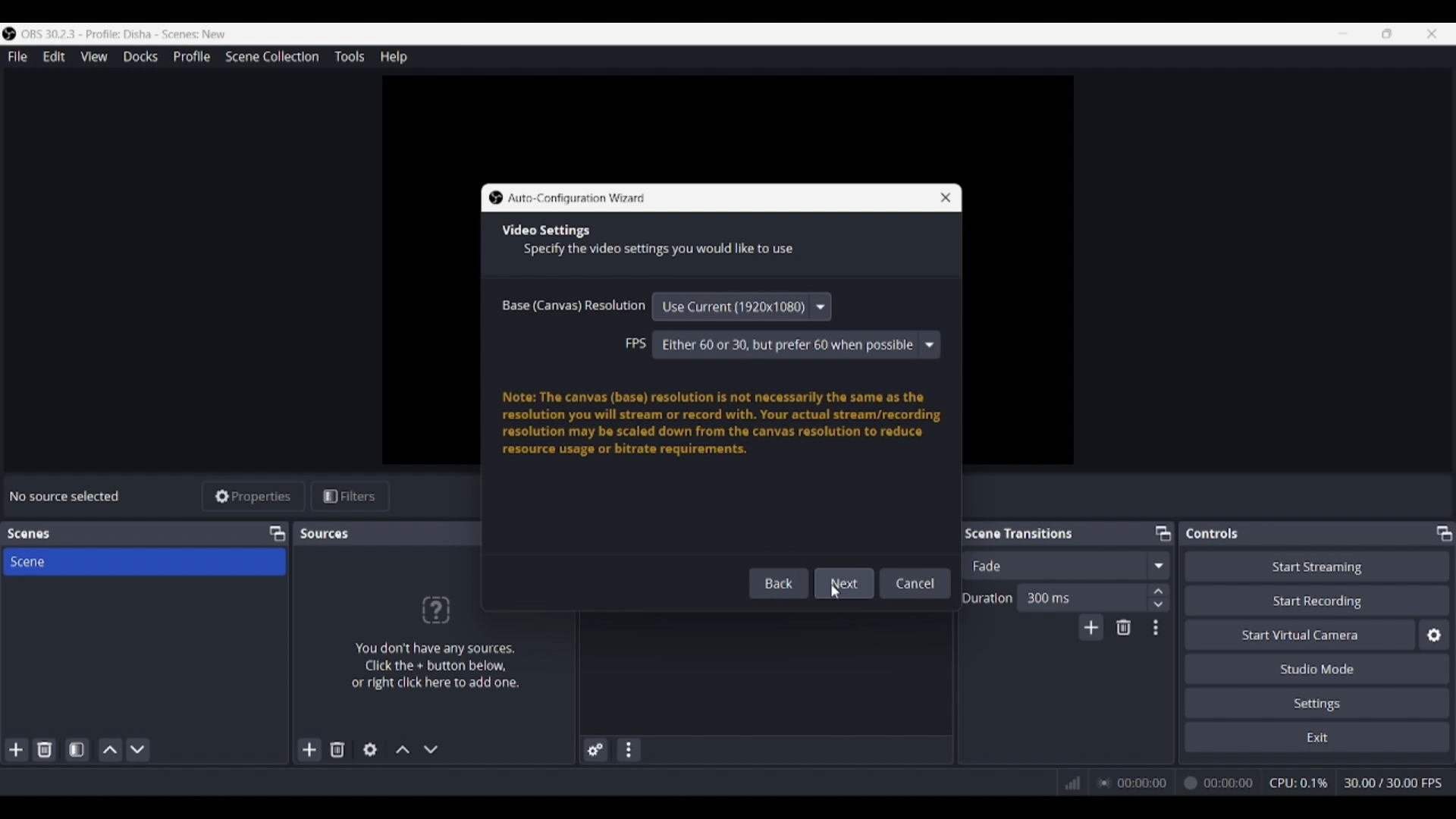 Image resolution: width=1456 pixels, height=819 pixels. Describe the element at coordinates (1318, 600) in the screenshot. I see `Start recording` at that location.